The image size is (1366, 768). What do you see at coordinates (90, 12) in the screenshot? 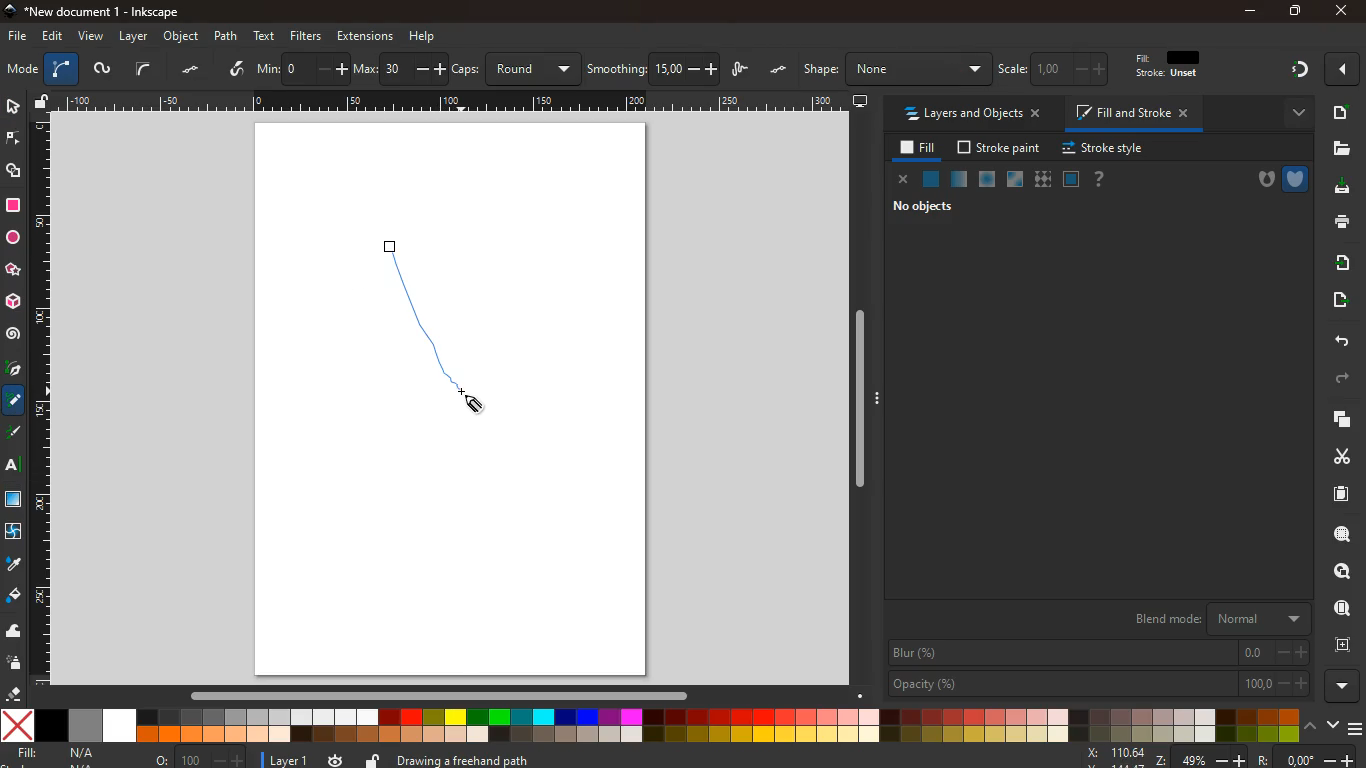
I see `*New document 1 - Inkscape` at bounding box center [90, 12].